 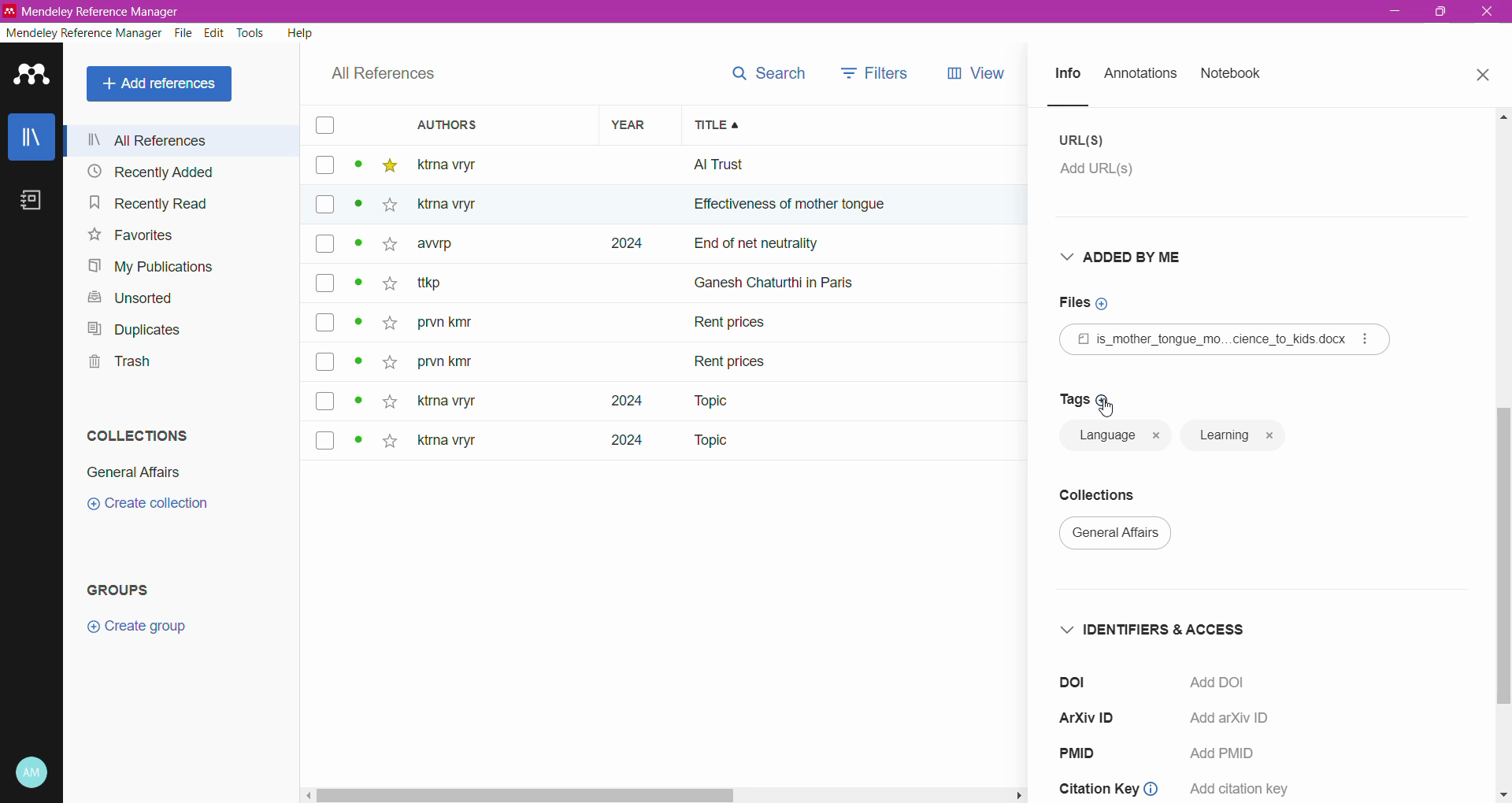 What do you see at coordinates (389, 443) in the screenshot?
I see `star` at bounding box center [389, 443].